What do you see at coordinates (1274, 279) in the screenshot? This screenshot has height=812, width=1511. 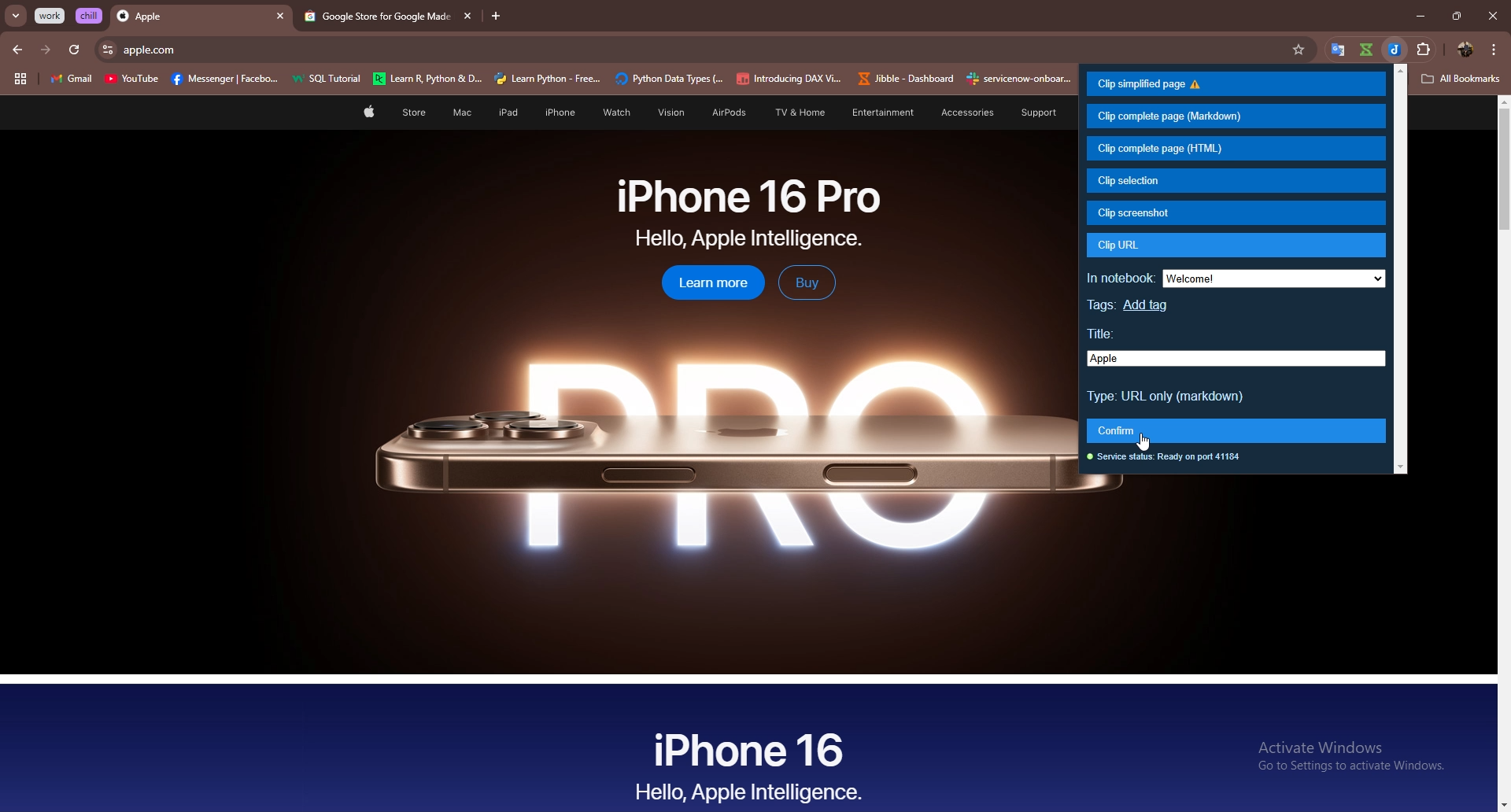 I see `Welcome` at bounding box center [1274, 279].